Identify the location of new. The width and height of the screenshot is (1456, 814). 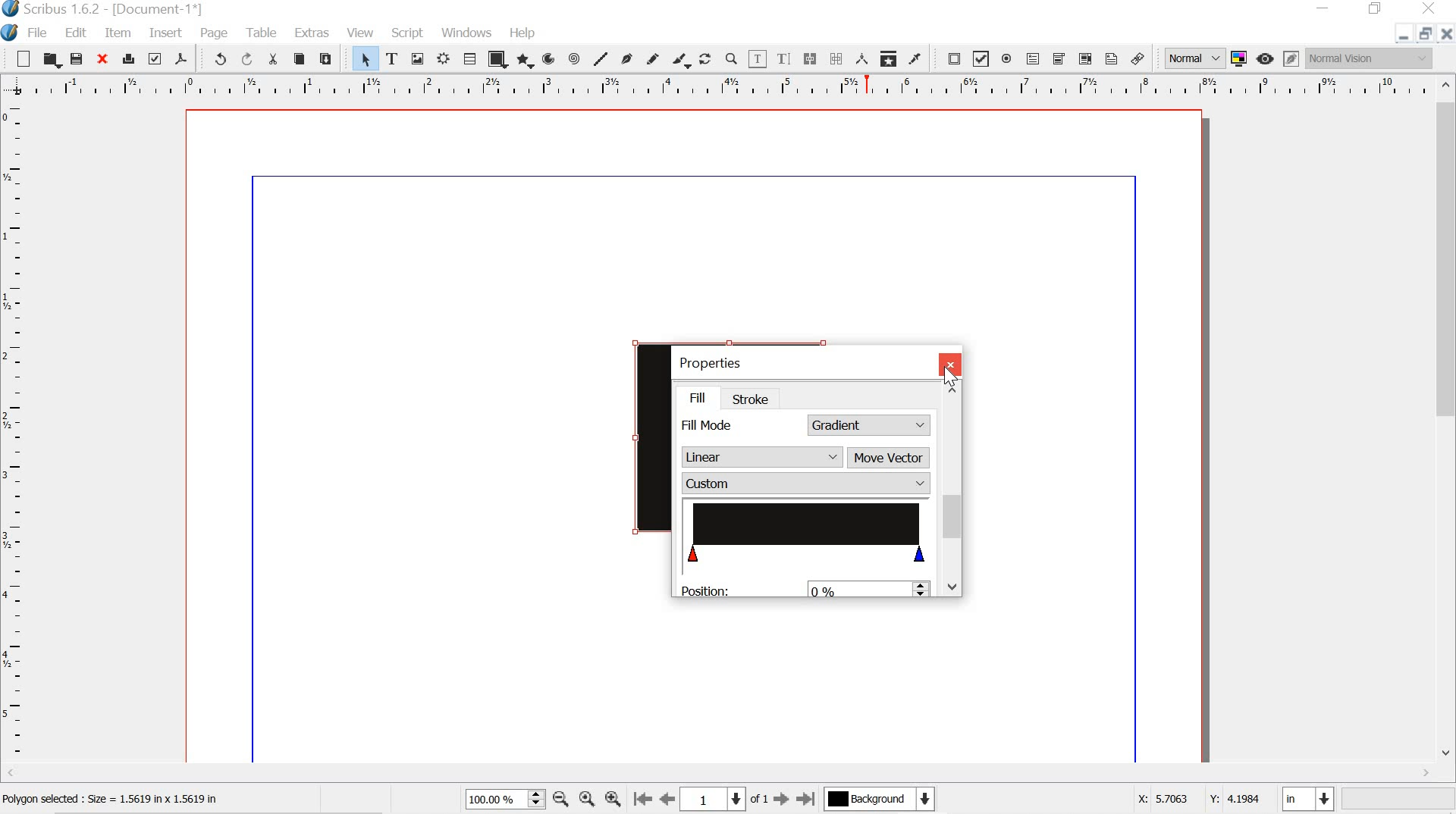
(18, 58).